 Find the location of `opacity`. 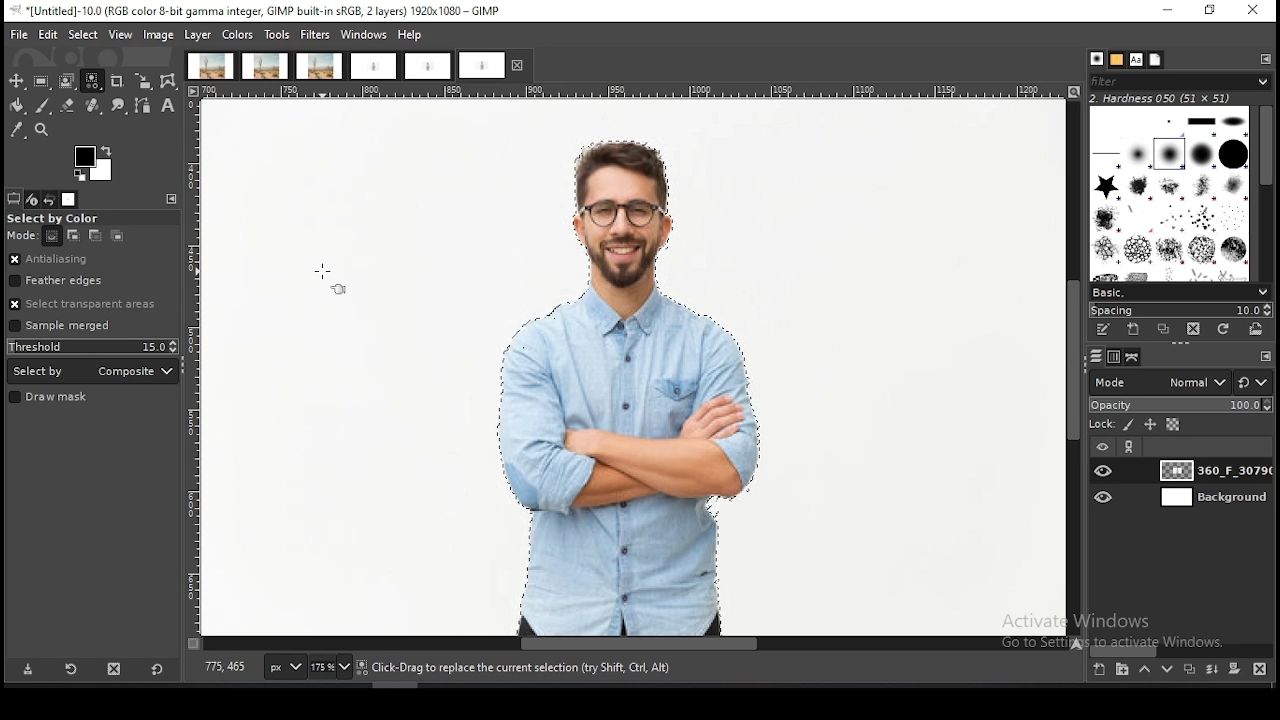

opacity is located at coordinates (1180, 406).